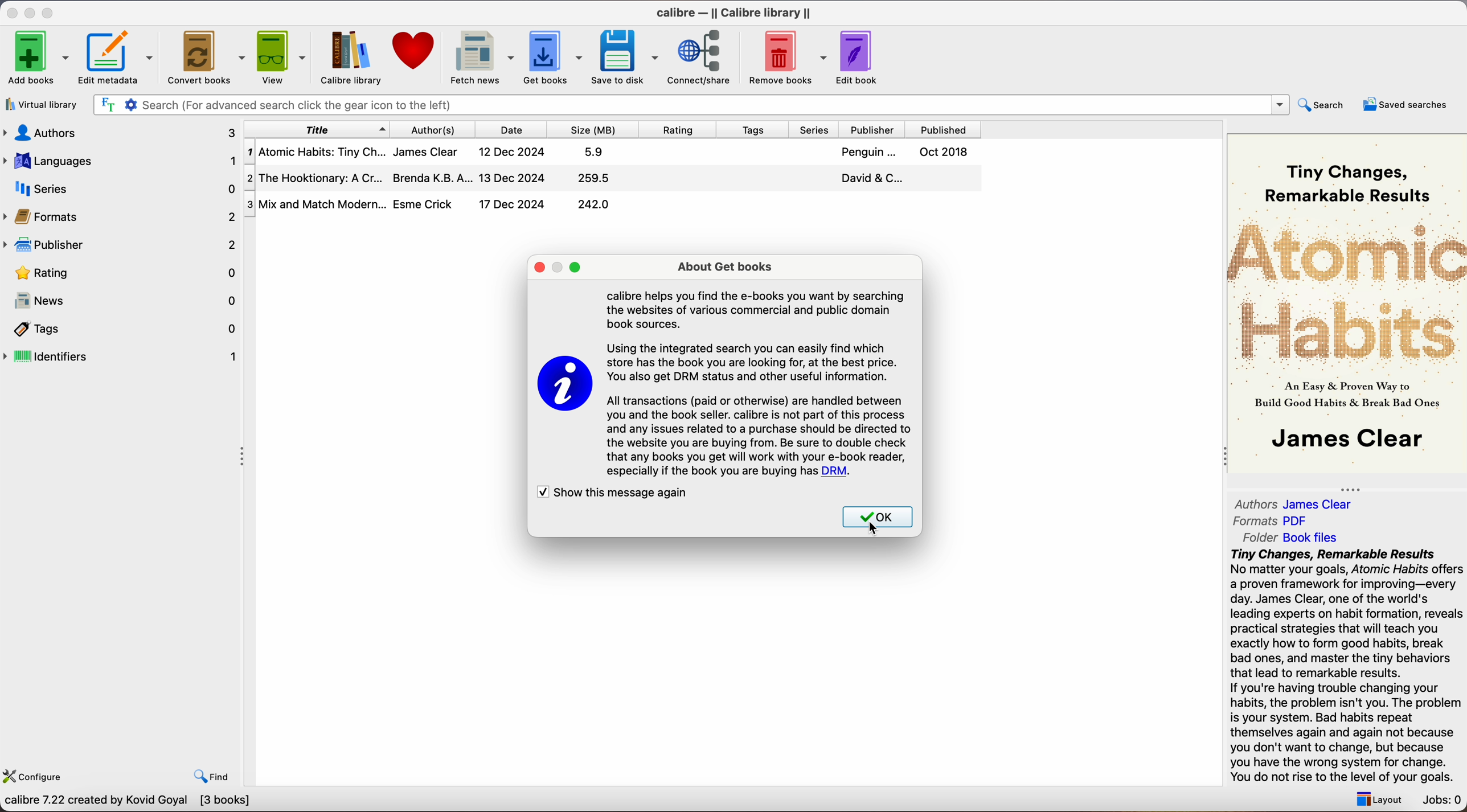  Describe the element at coordinates (876, 130) in the screenshot. I see `publisher` at that location.